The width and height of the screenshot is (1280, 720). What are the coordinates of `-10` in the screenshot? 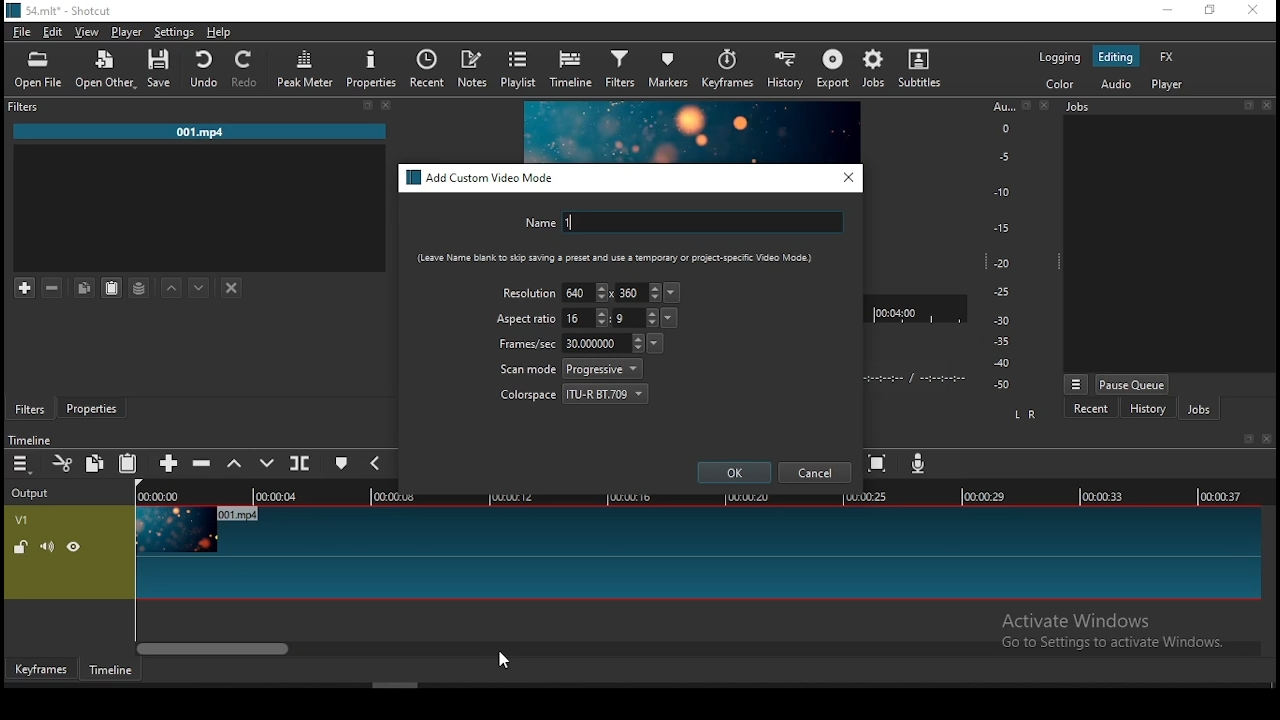 It's located at (1000, 192).